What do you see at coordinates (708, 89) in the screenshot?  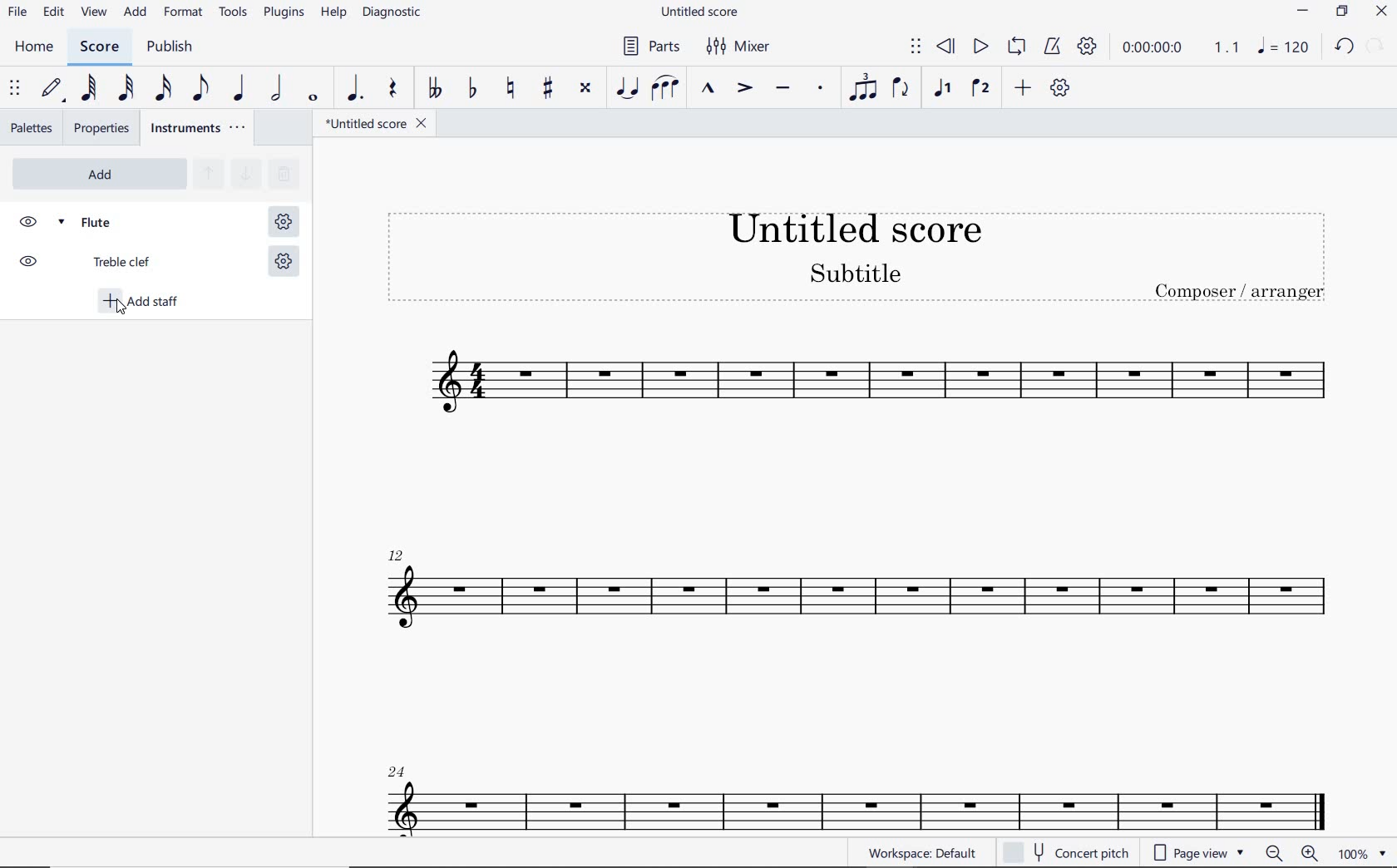 I see `MARCATO` at bounding box center [708, 89].